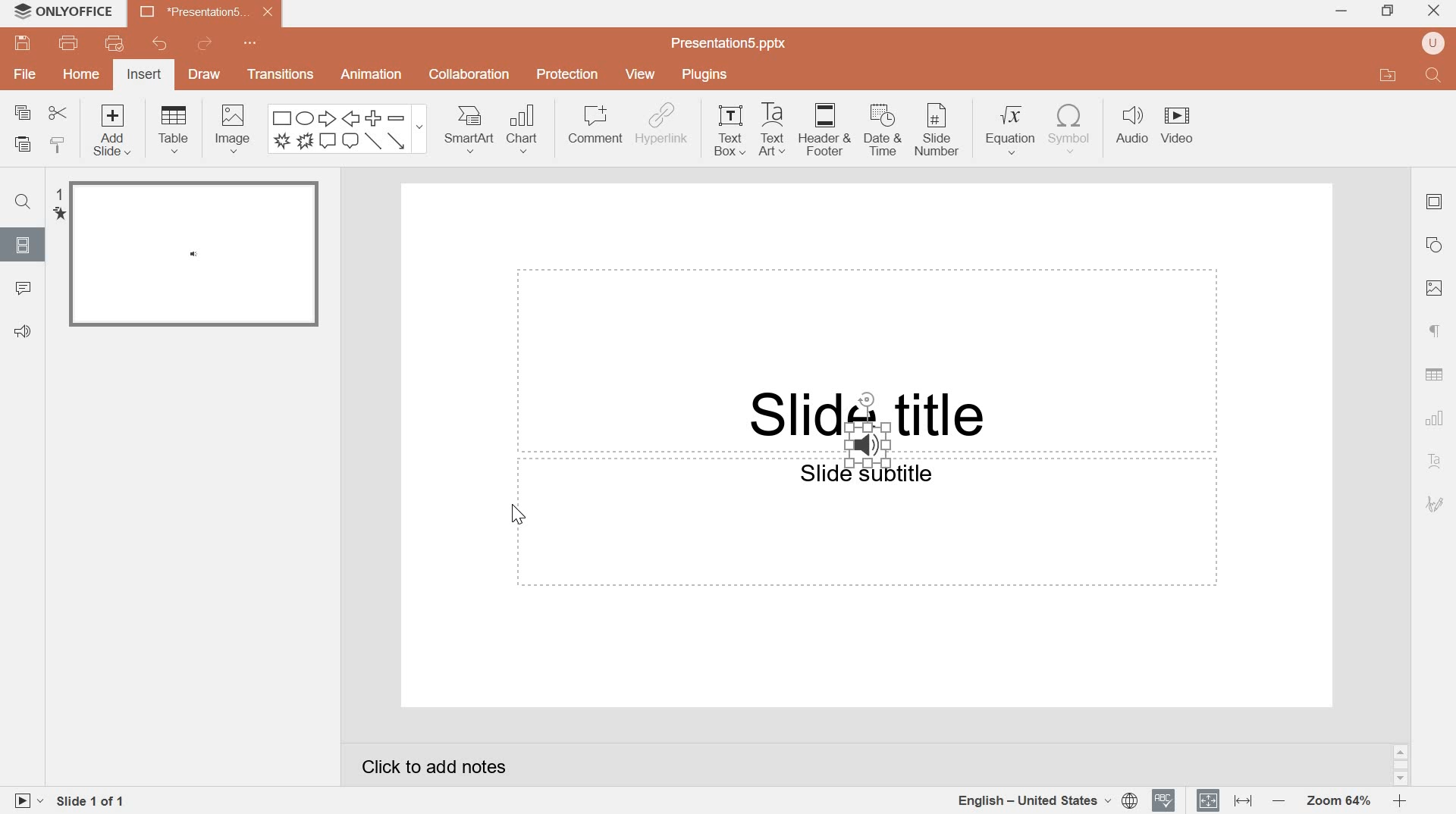 The width and height of the screenshot is (1456, 814). Describe the element at coordinates (827, 130) in the screenshot. I see `Header & Footer` at that location.